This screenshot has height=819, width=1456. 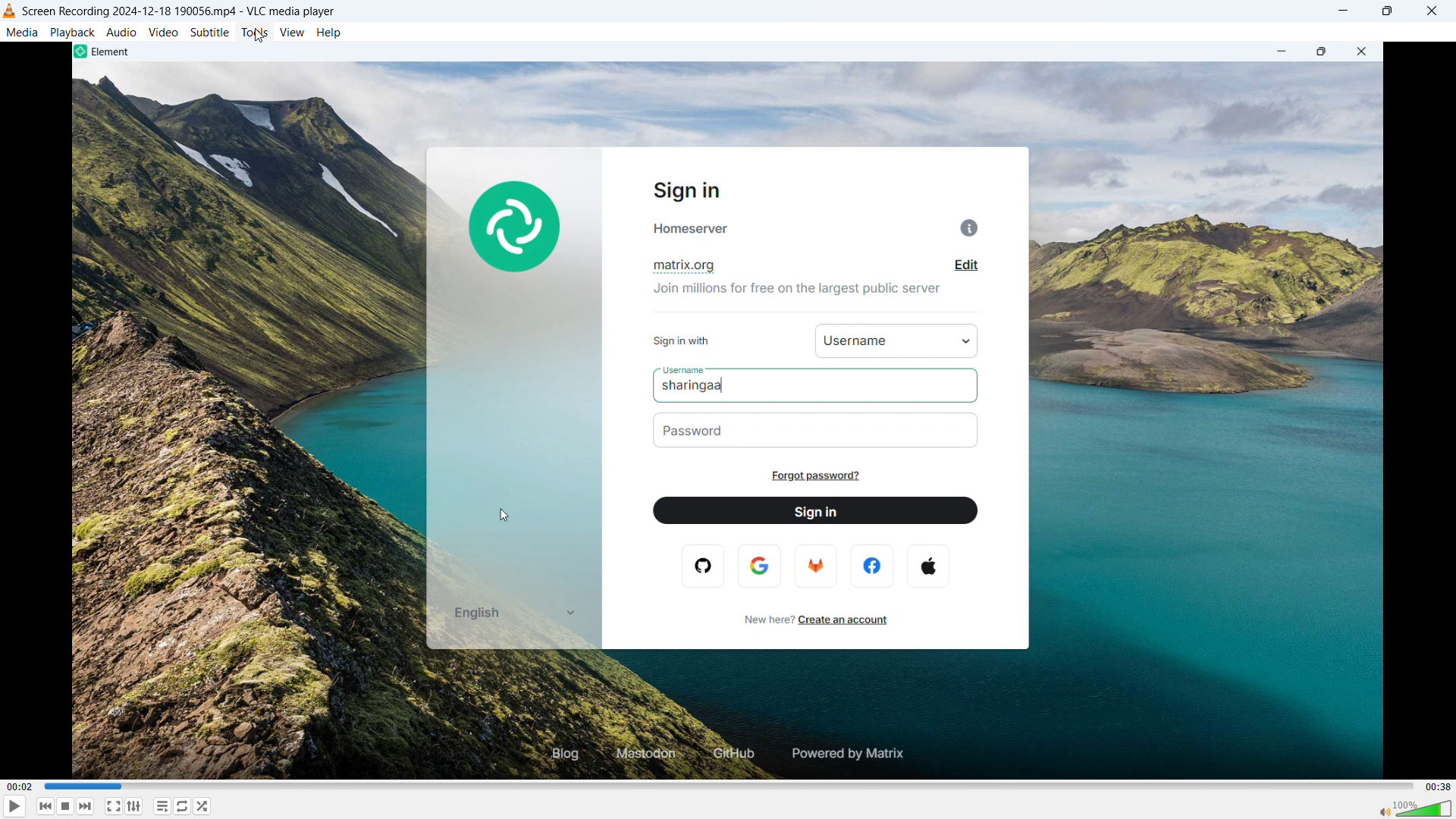 I want to click on toggle playlist, so click(x=162, y=807).